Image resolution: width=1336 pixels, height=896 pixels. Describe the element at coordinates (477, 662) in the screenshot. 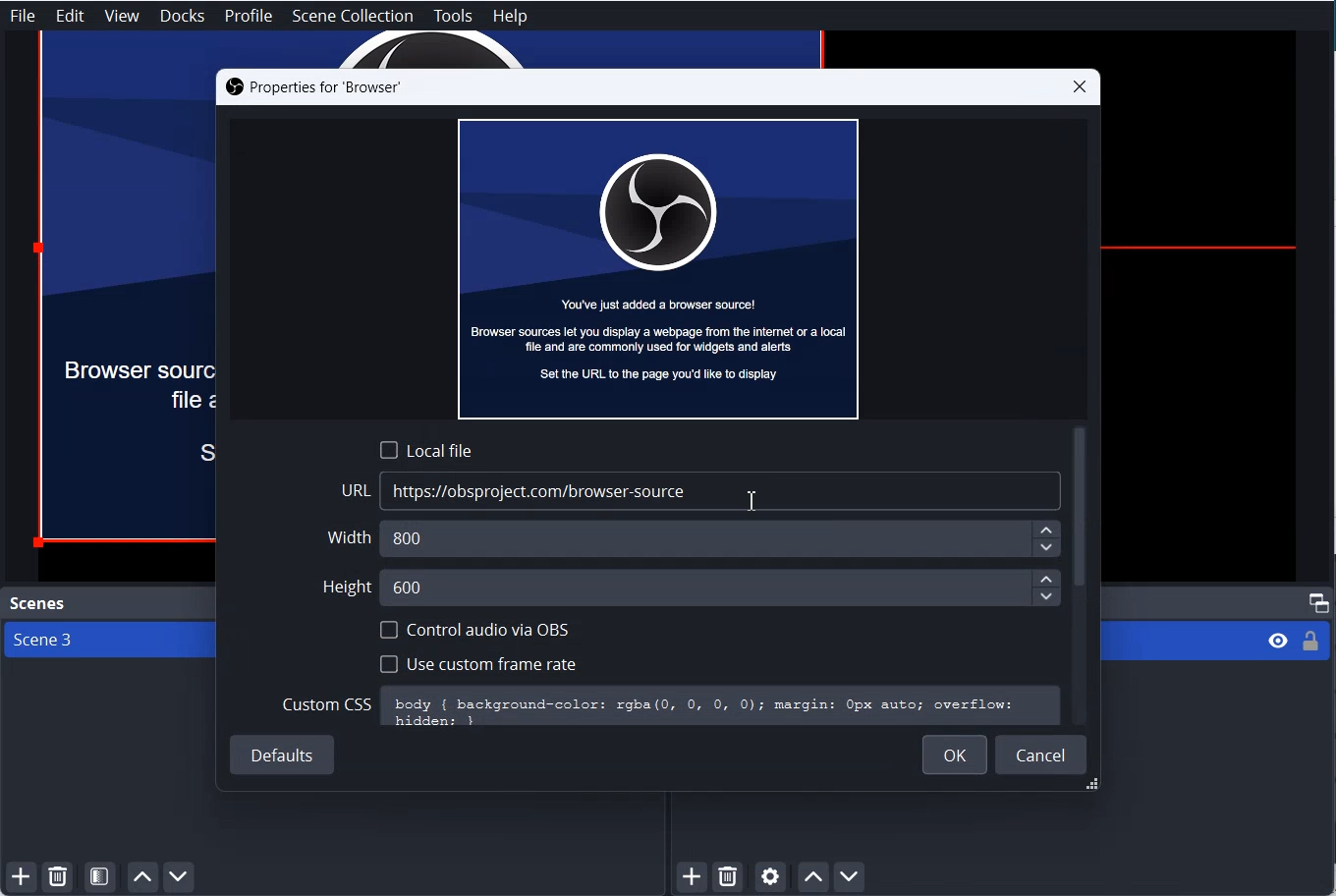

I see `(un)check Use custom frame rate` at that location.